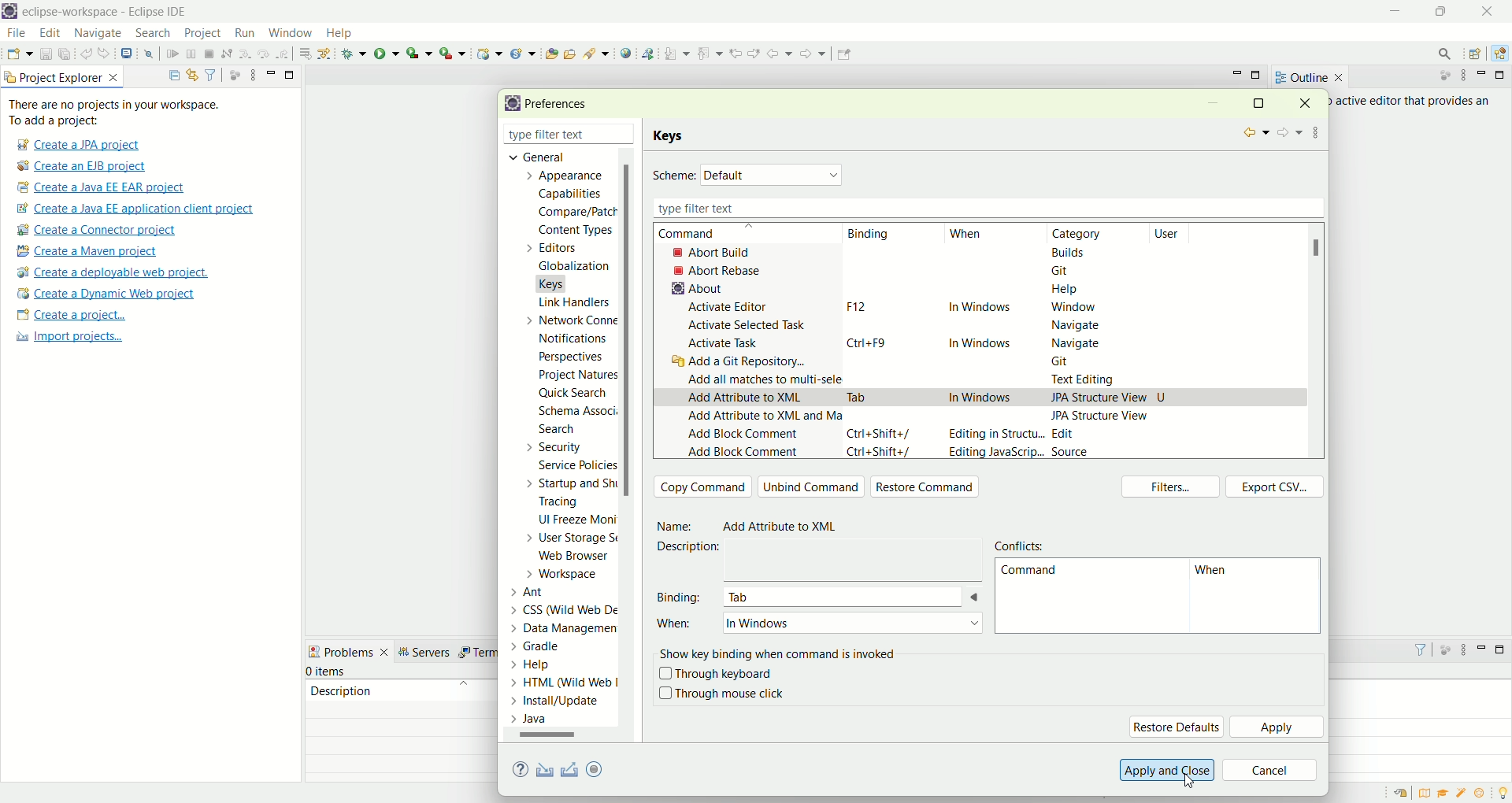 This screenshot has width=1512, height=803. What do you see at coordinates (576, 211) in the screenshot?
I see `compare` at bounding box center [576, 211].